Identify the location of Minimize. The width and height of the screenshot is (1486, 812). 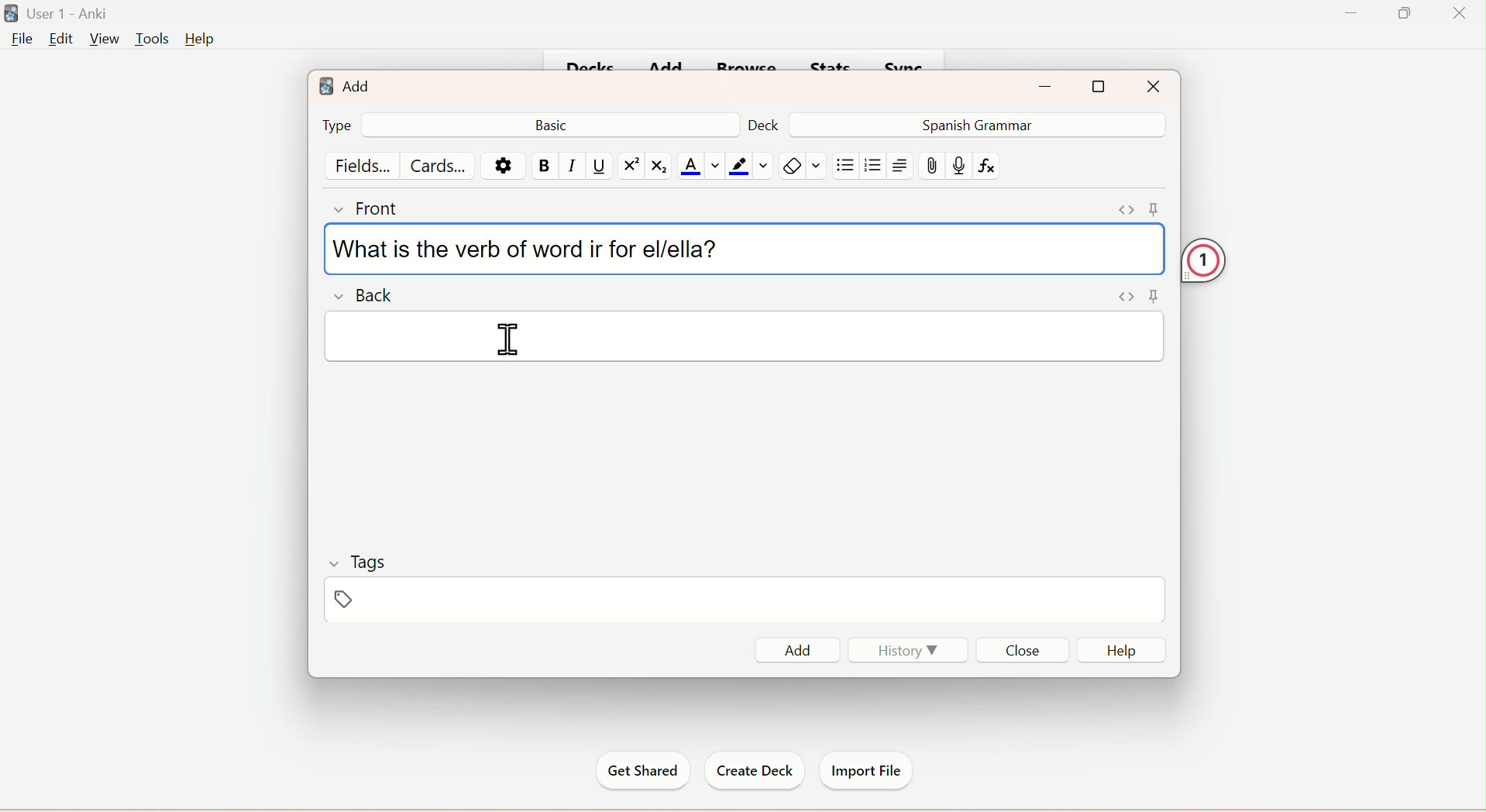
(1051, 84).